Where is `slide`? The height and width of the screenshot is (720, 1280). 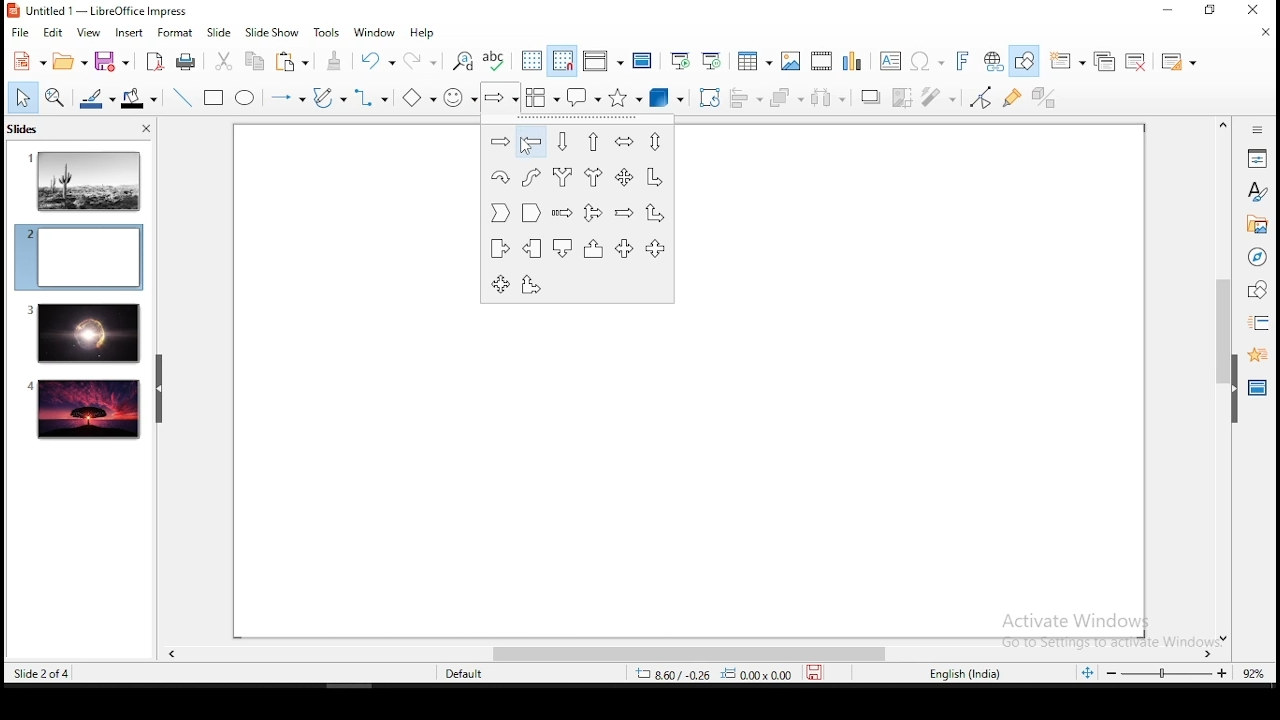 slide is located at coordinates (219, 33).